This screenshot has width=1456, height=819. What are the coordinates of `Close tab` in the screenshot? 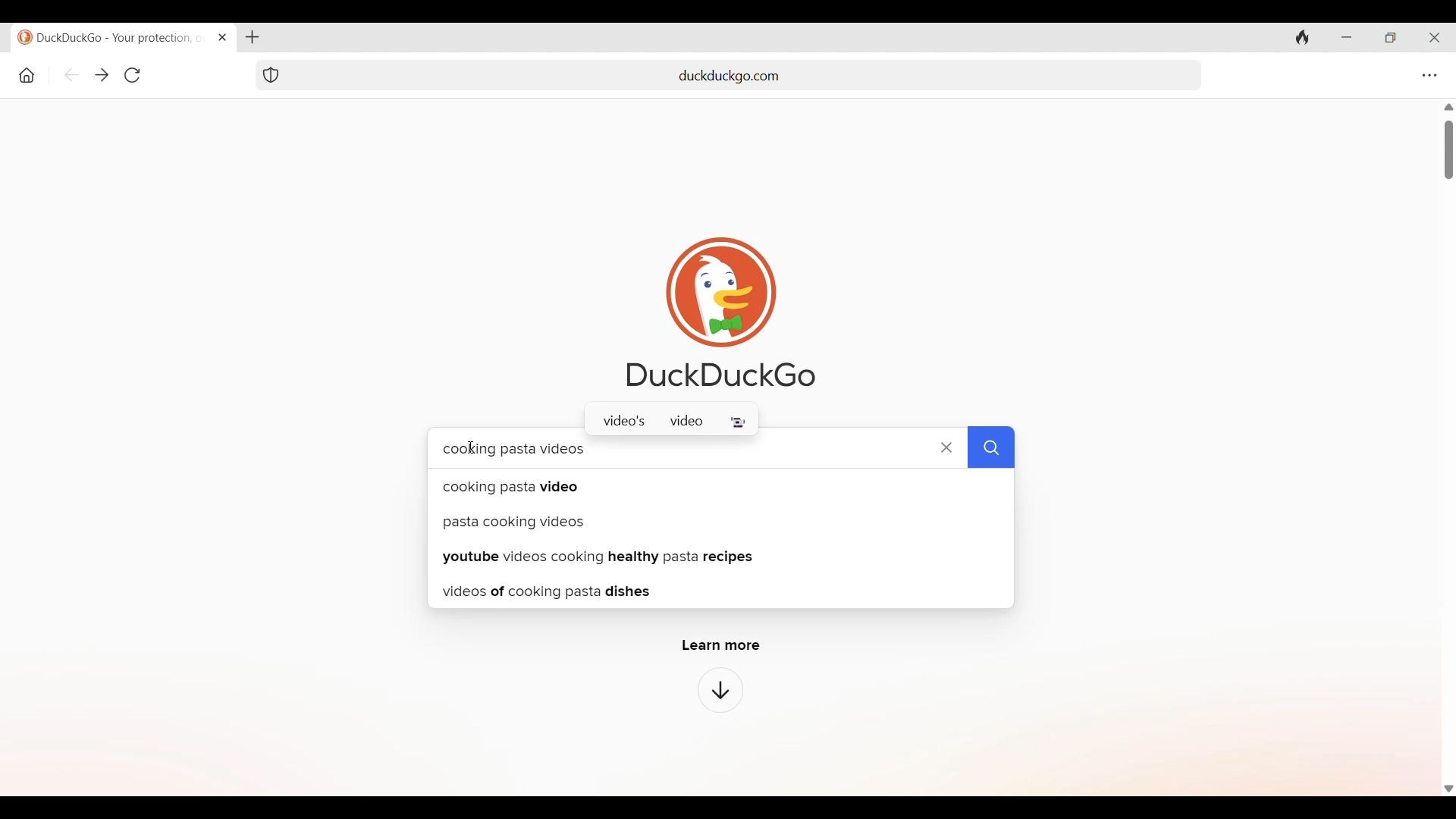 It's located at (221, 36).